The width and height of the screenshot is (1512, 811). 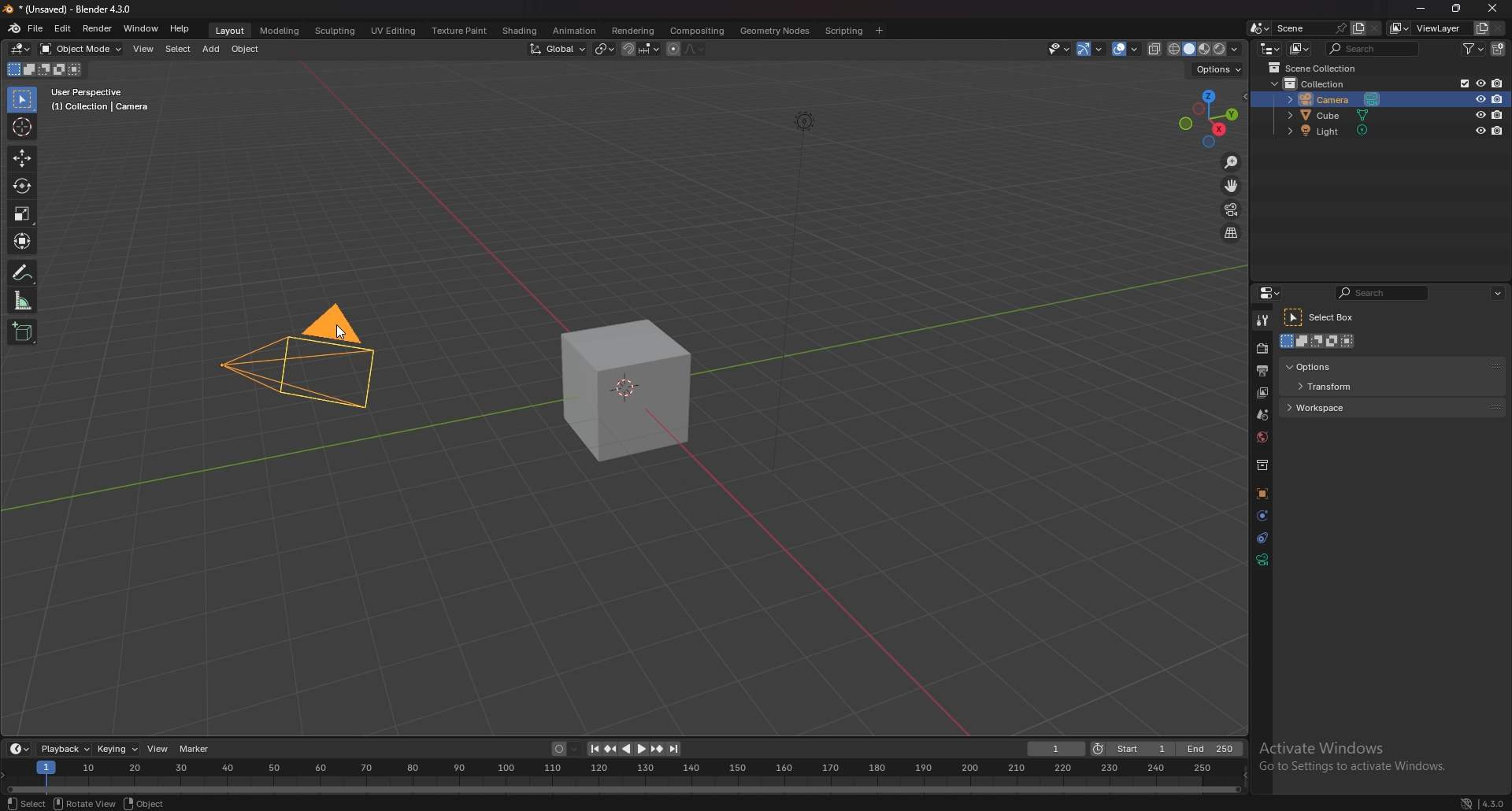 I want to click on marker, so click(x=196, y=749).